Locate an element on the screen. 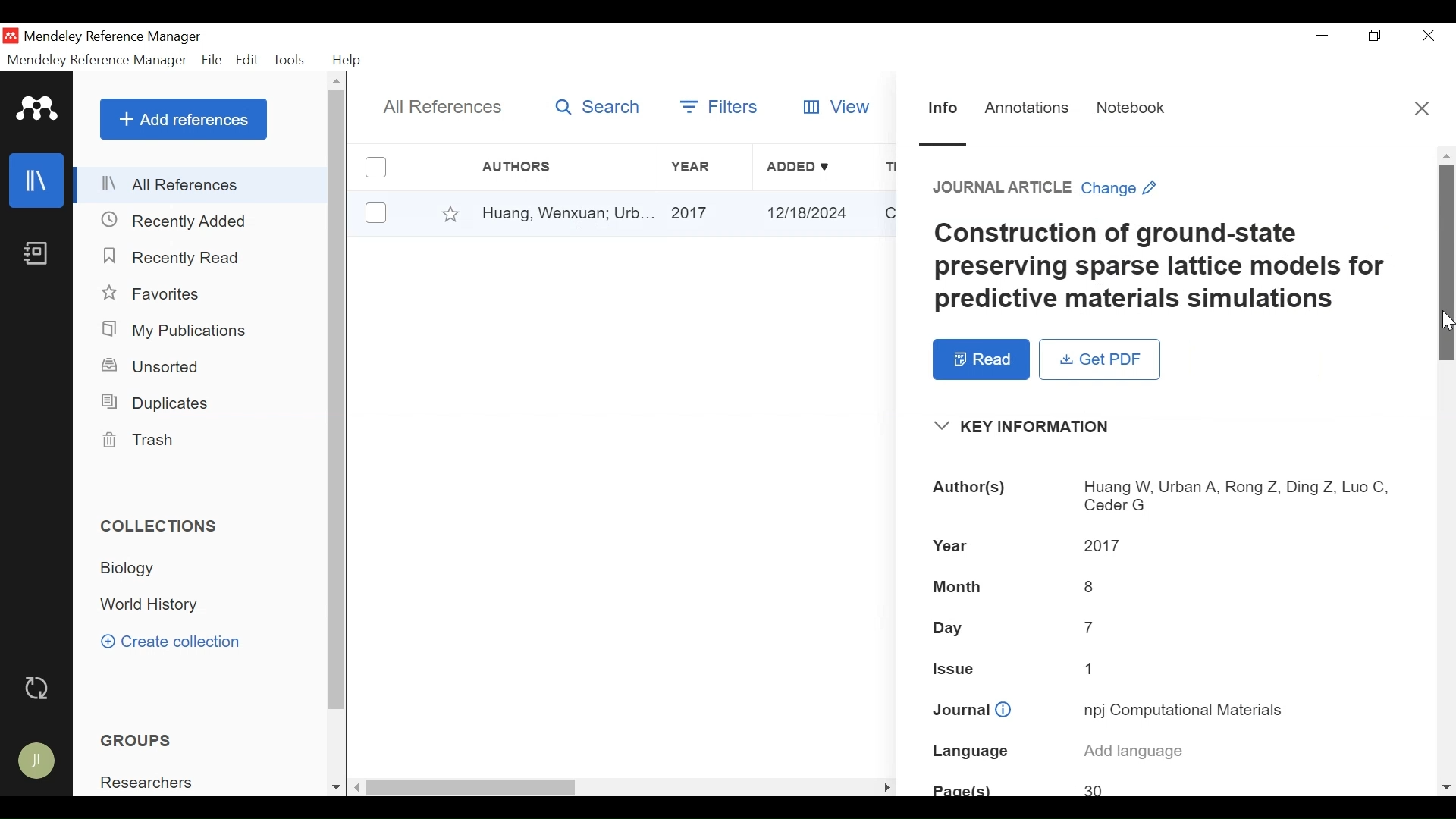 Image resolution: width=1456 pixels, height=819 pixels. Trash is located at coordinates (146, 440).